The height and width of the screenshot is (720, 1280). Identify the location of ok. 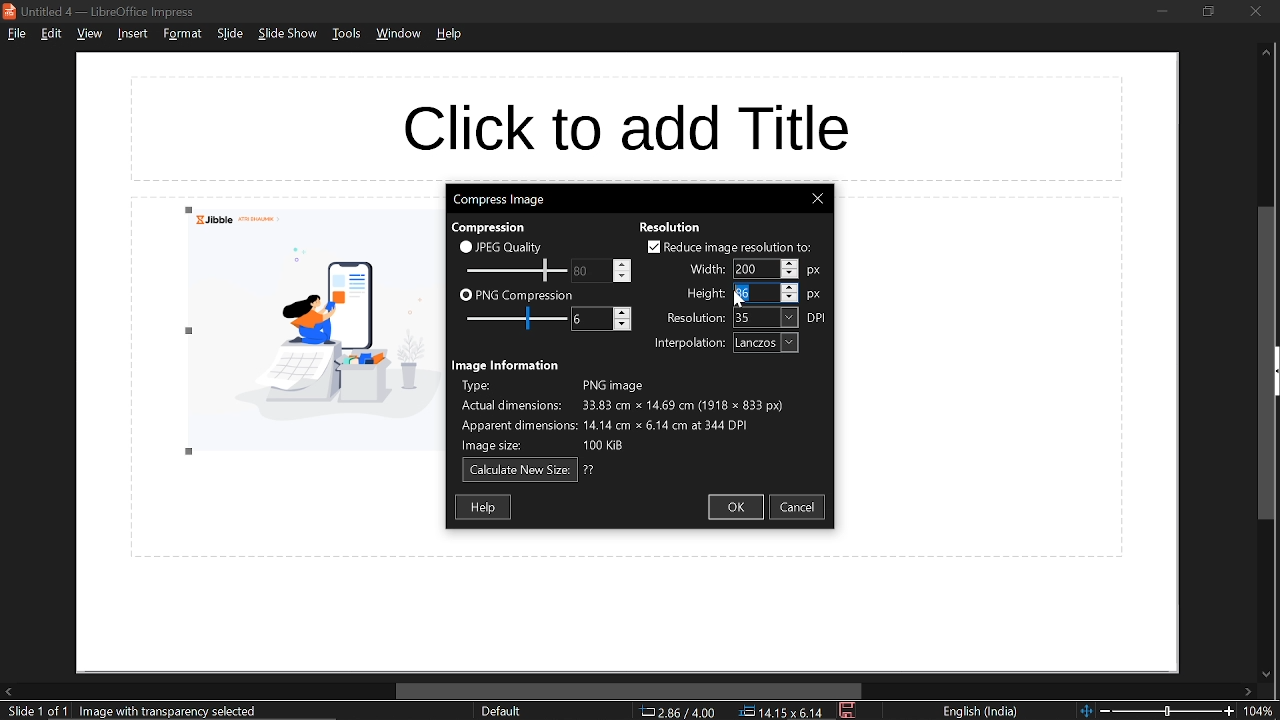
(735, 507).